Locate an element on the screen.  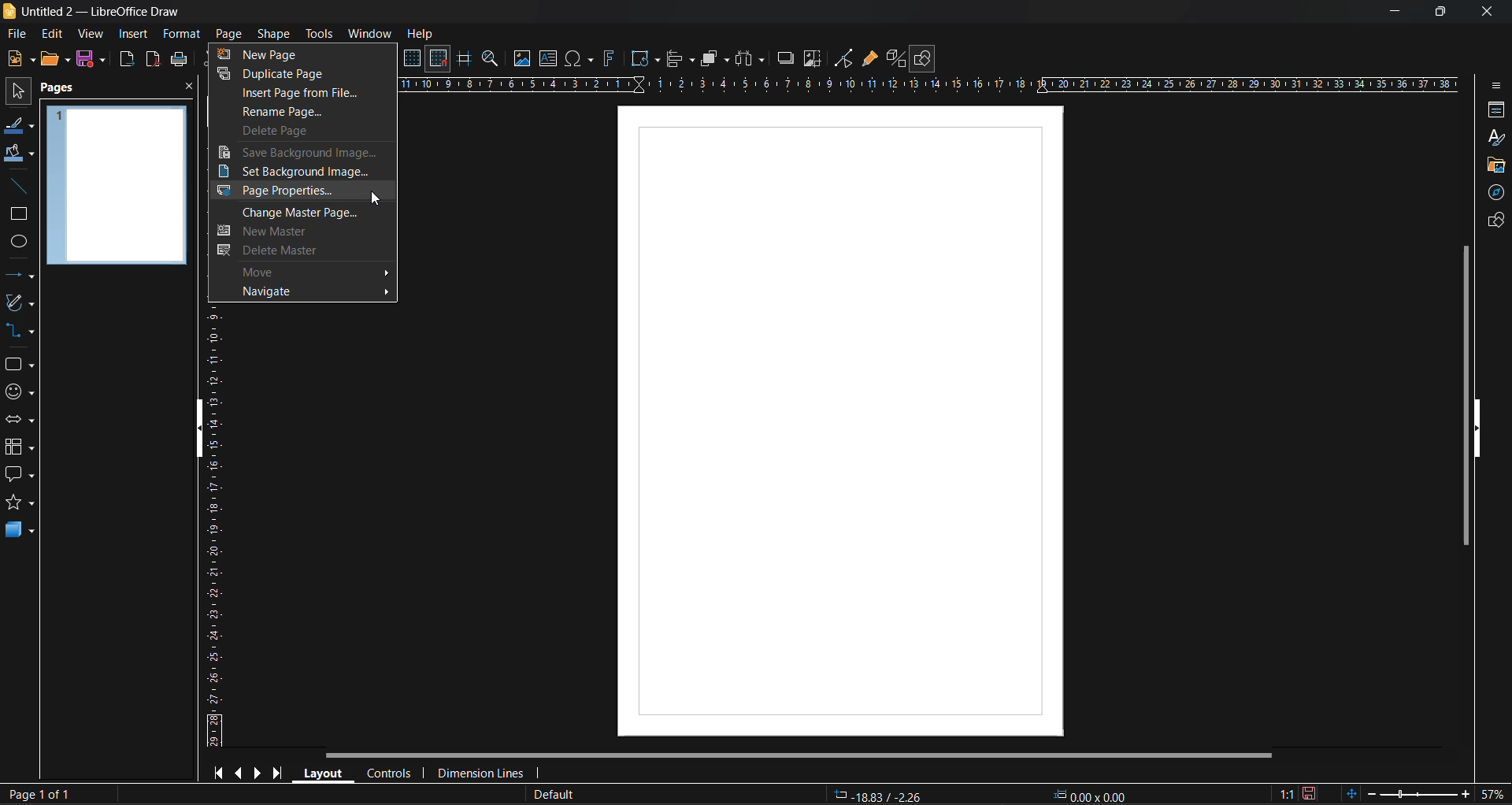
align objects is located at coordinates (680, 61).